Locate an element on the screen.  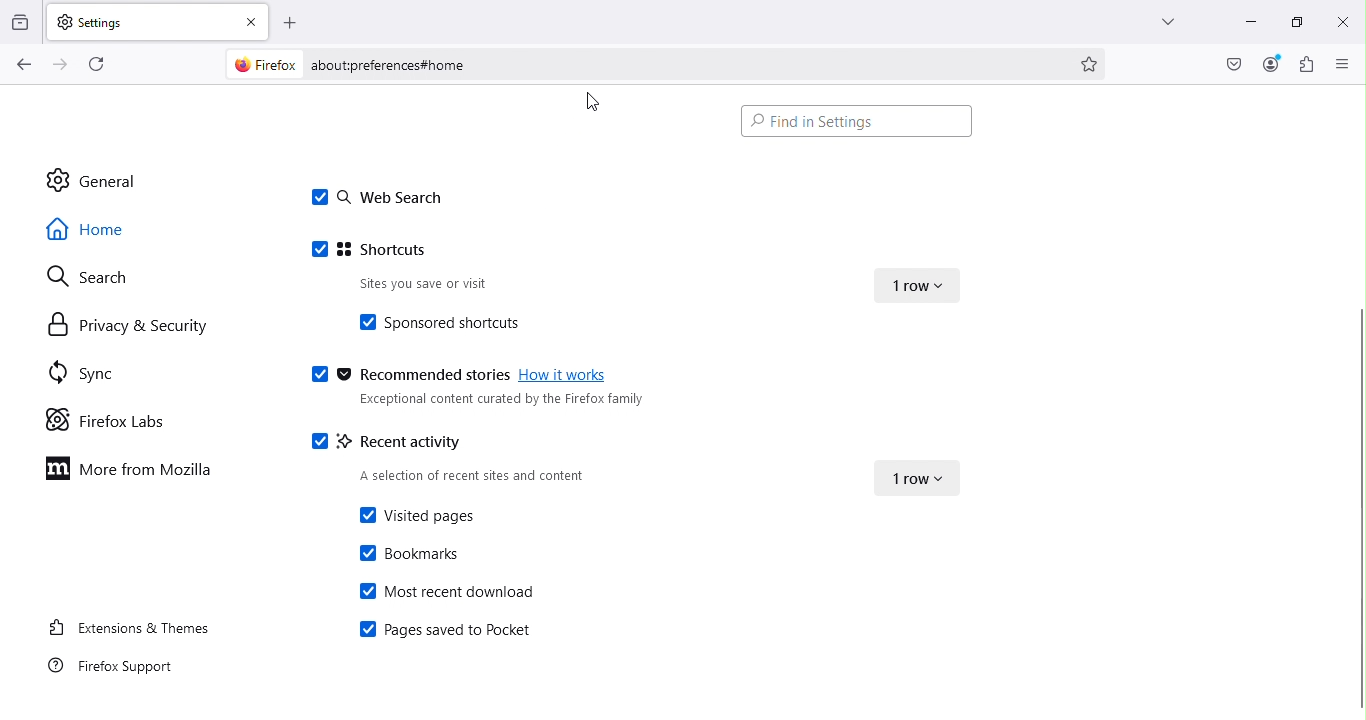
Bookmark this page is located at coordinates (1091, 62).